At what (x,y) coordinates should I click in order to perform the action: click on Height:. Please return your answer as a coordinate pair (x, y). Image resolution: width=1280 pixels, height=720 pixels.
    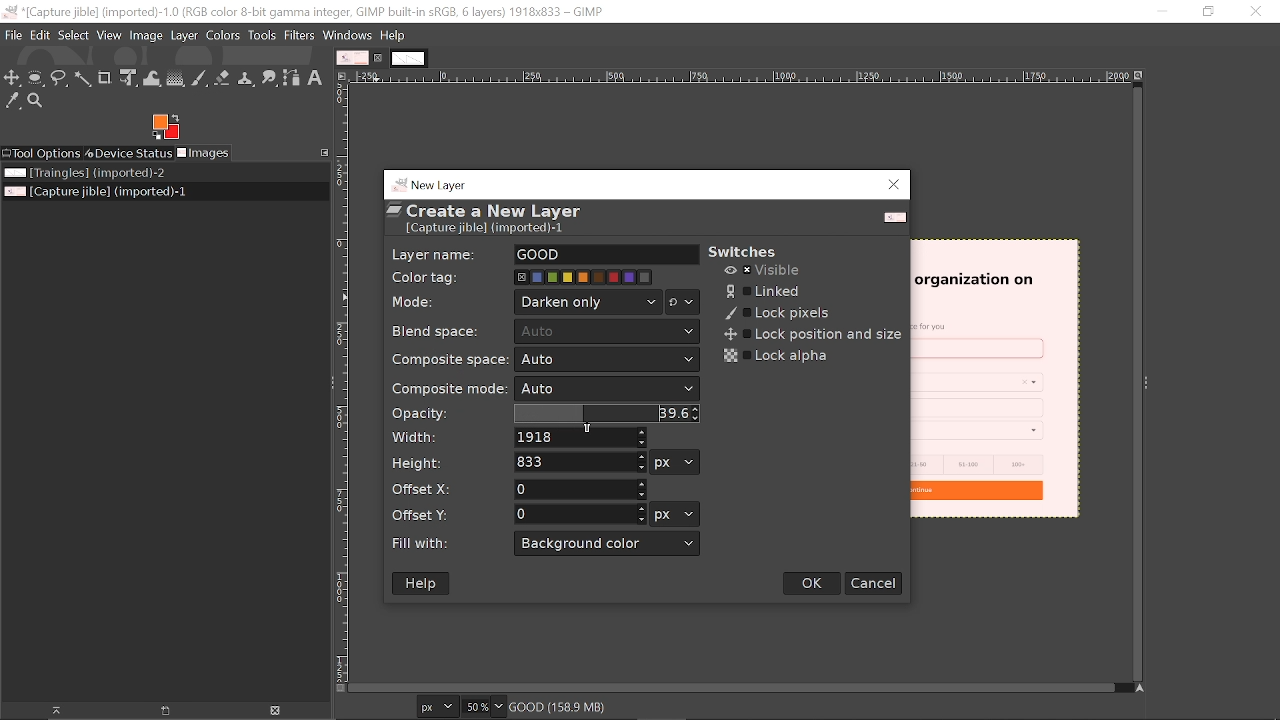
    Looking at the image, I should click on (417, 462).